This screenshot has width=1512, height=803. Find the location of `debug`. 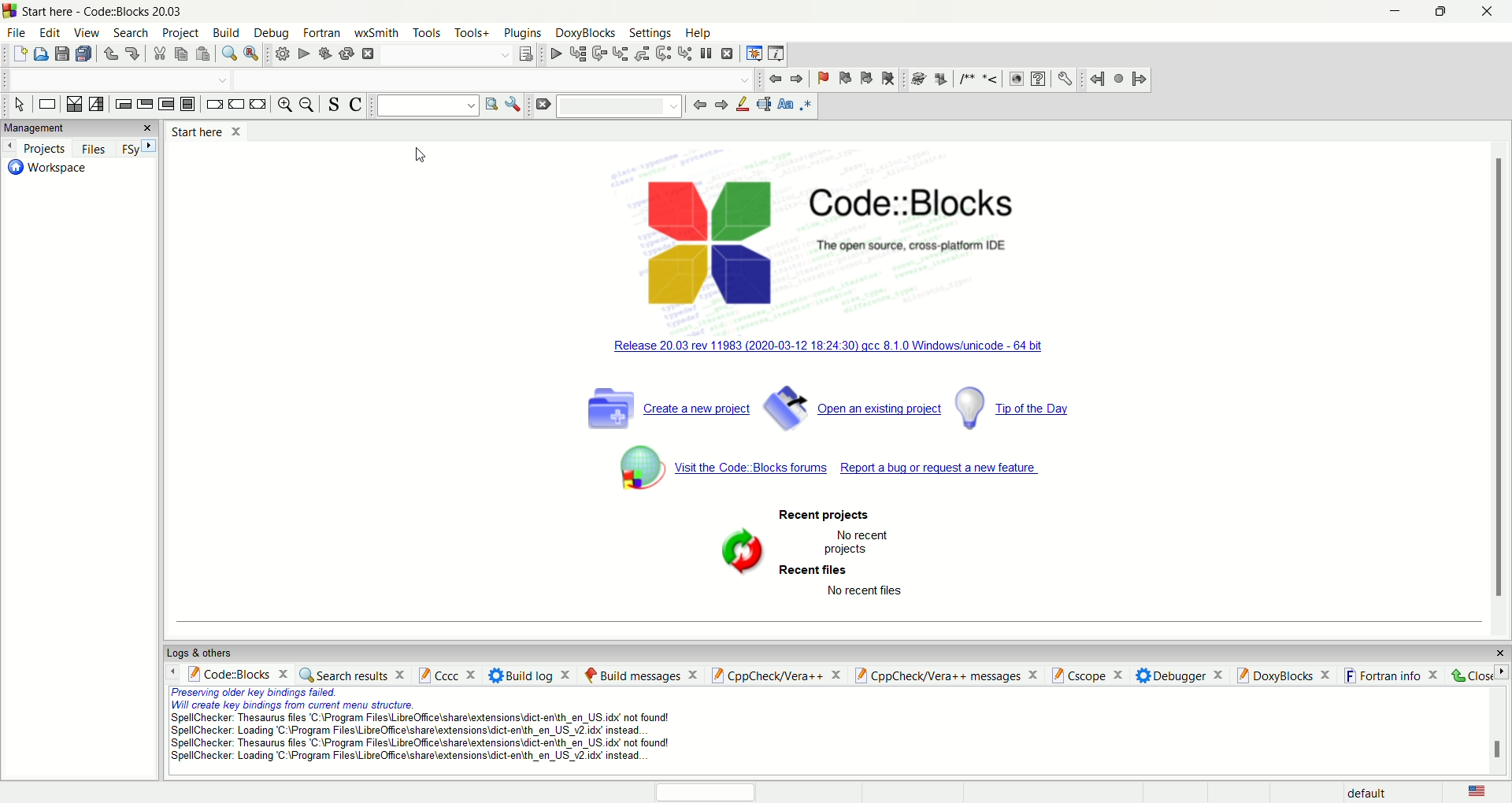

debug is located at coordinates (274, 33).